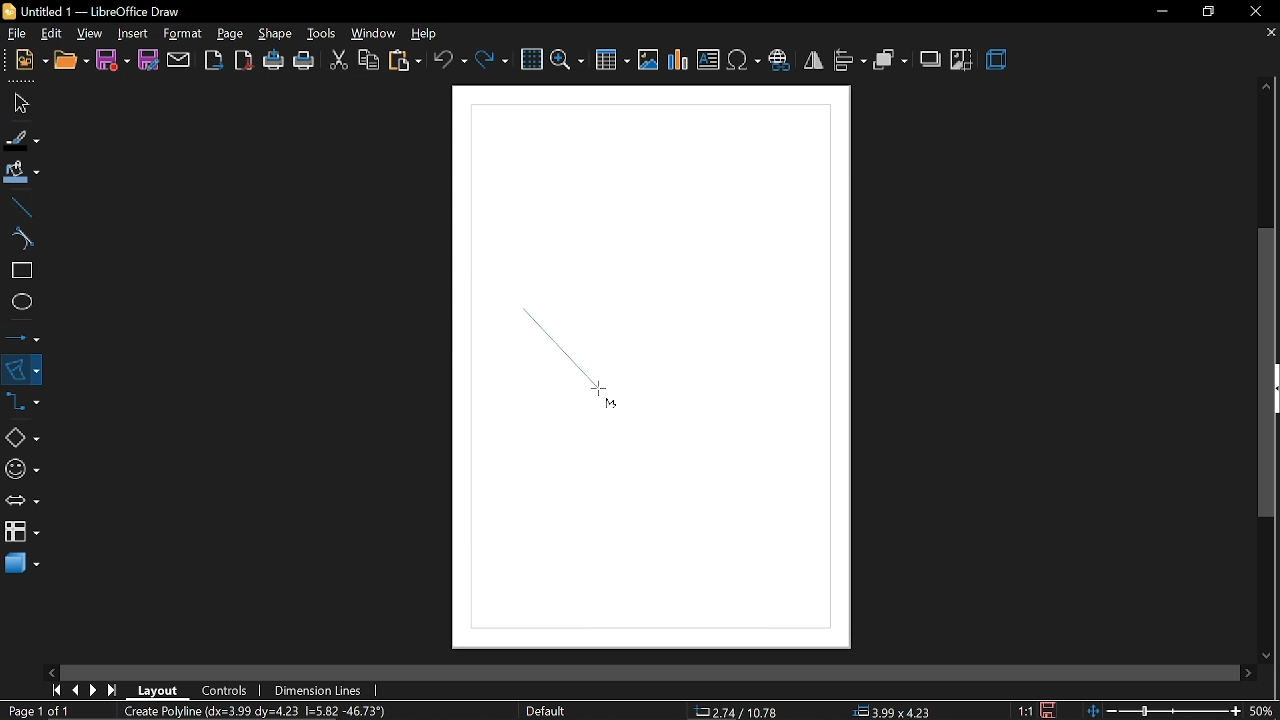 Image resolution: width=1280 pixels, height=720 pixels. I want to click on current page, so click(42, 711).